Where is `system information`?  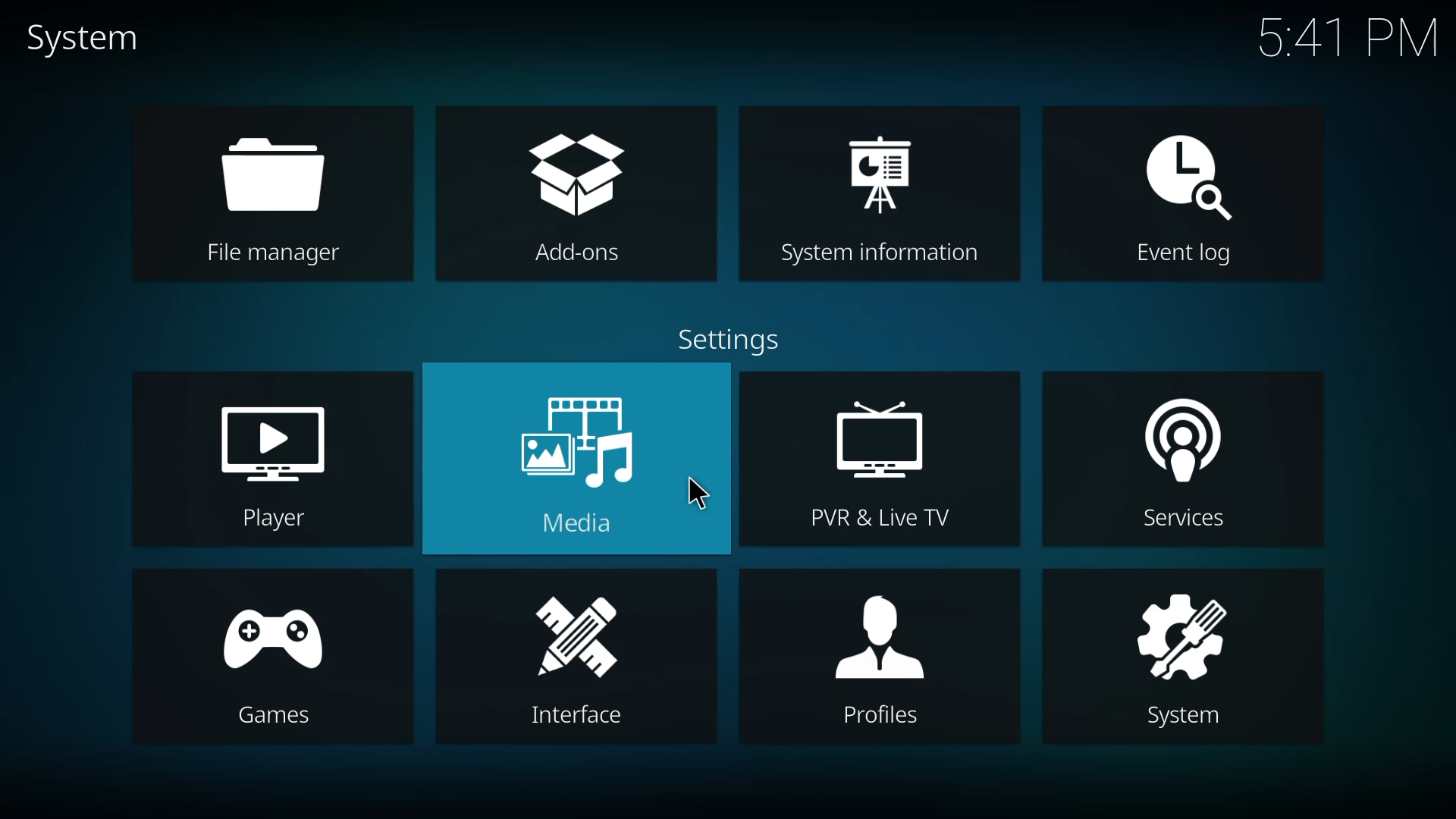
system information is located at coordinates (874, 193).